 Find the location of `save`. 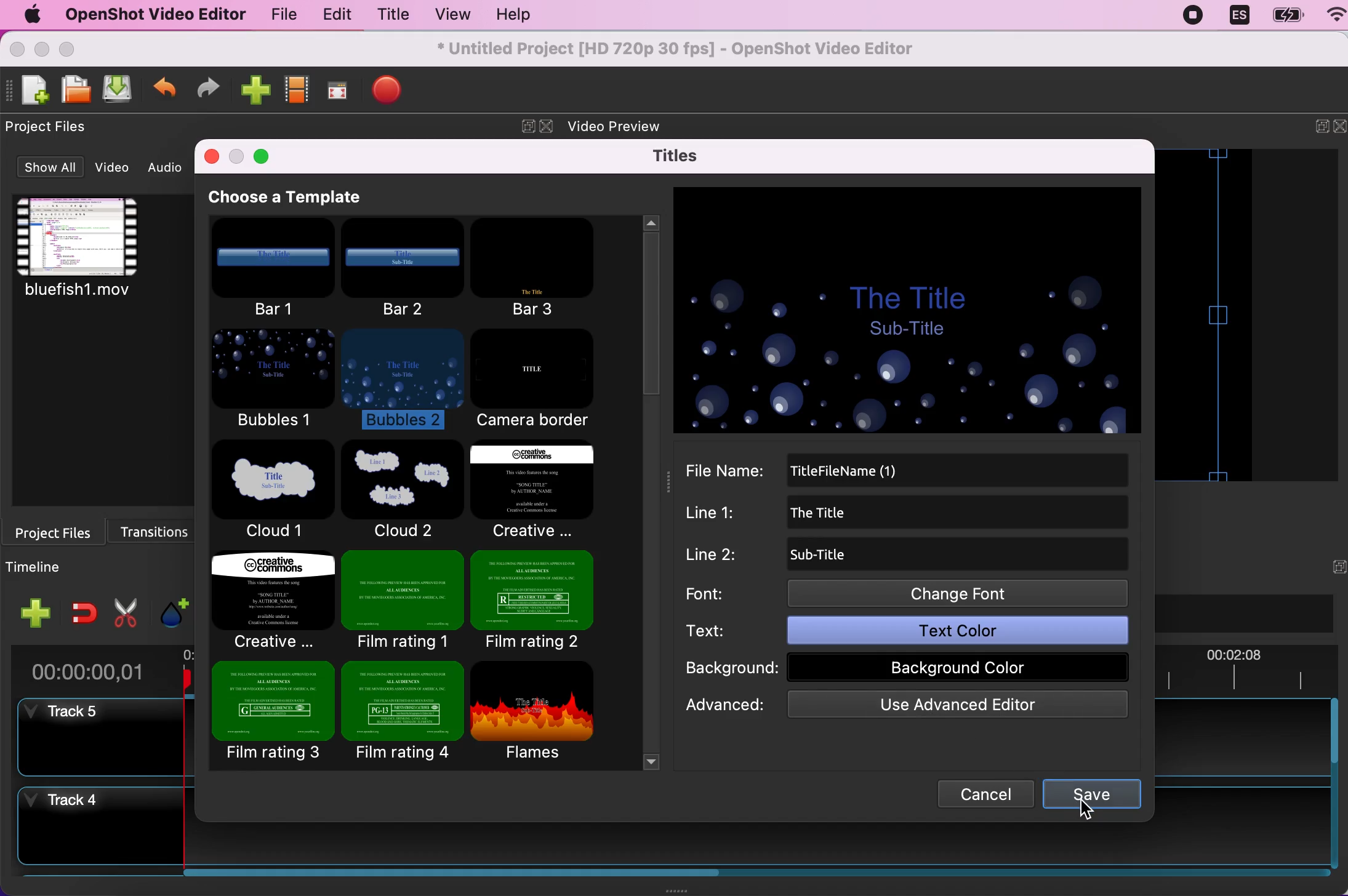

save is located at coordinates (1094, 795).